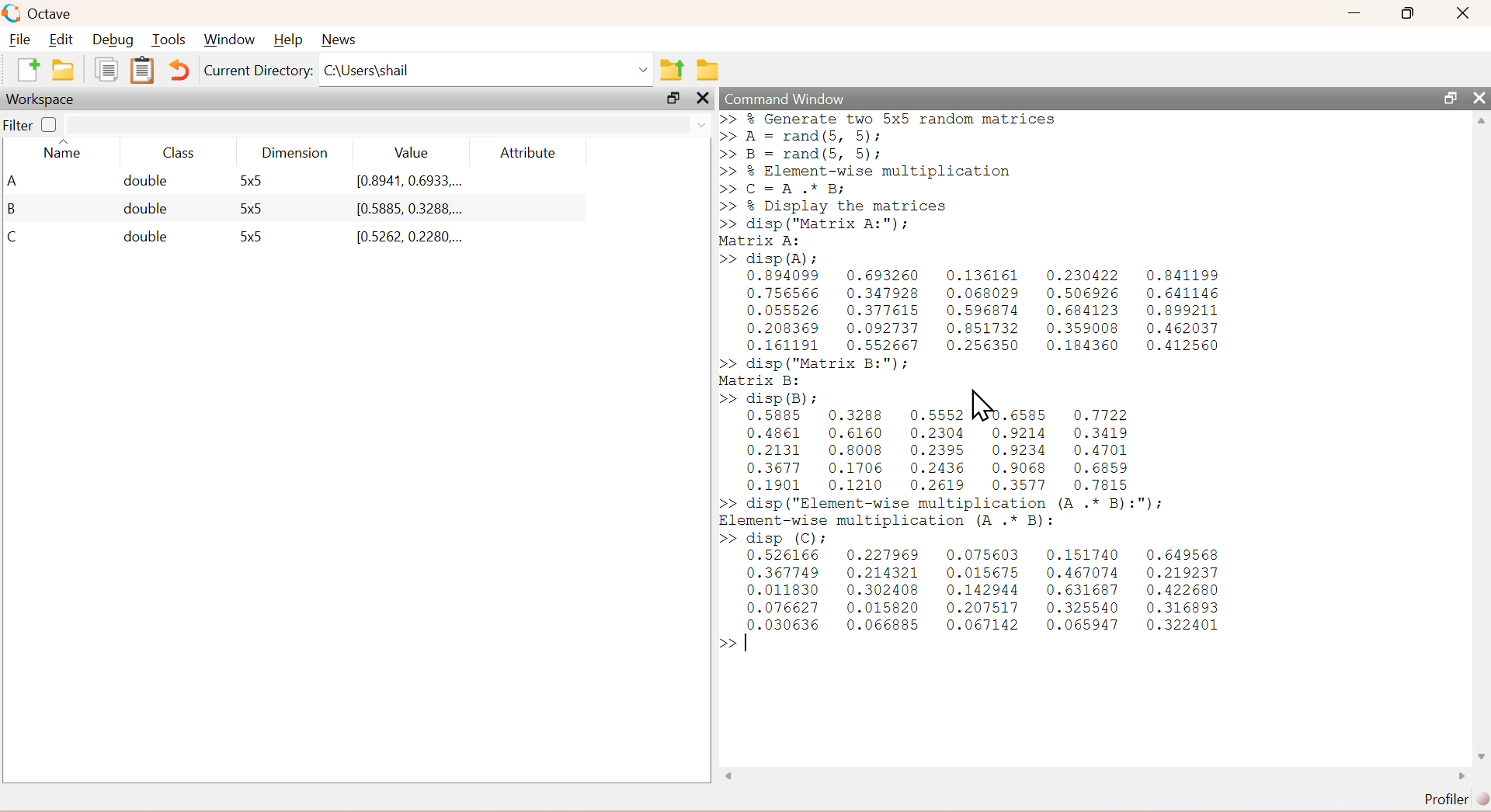  What do you see at coordinates (982, 407) in the screenshot?
I see `Cursor` at bounding box center [982, 407].